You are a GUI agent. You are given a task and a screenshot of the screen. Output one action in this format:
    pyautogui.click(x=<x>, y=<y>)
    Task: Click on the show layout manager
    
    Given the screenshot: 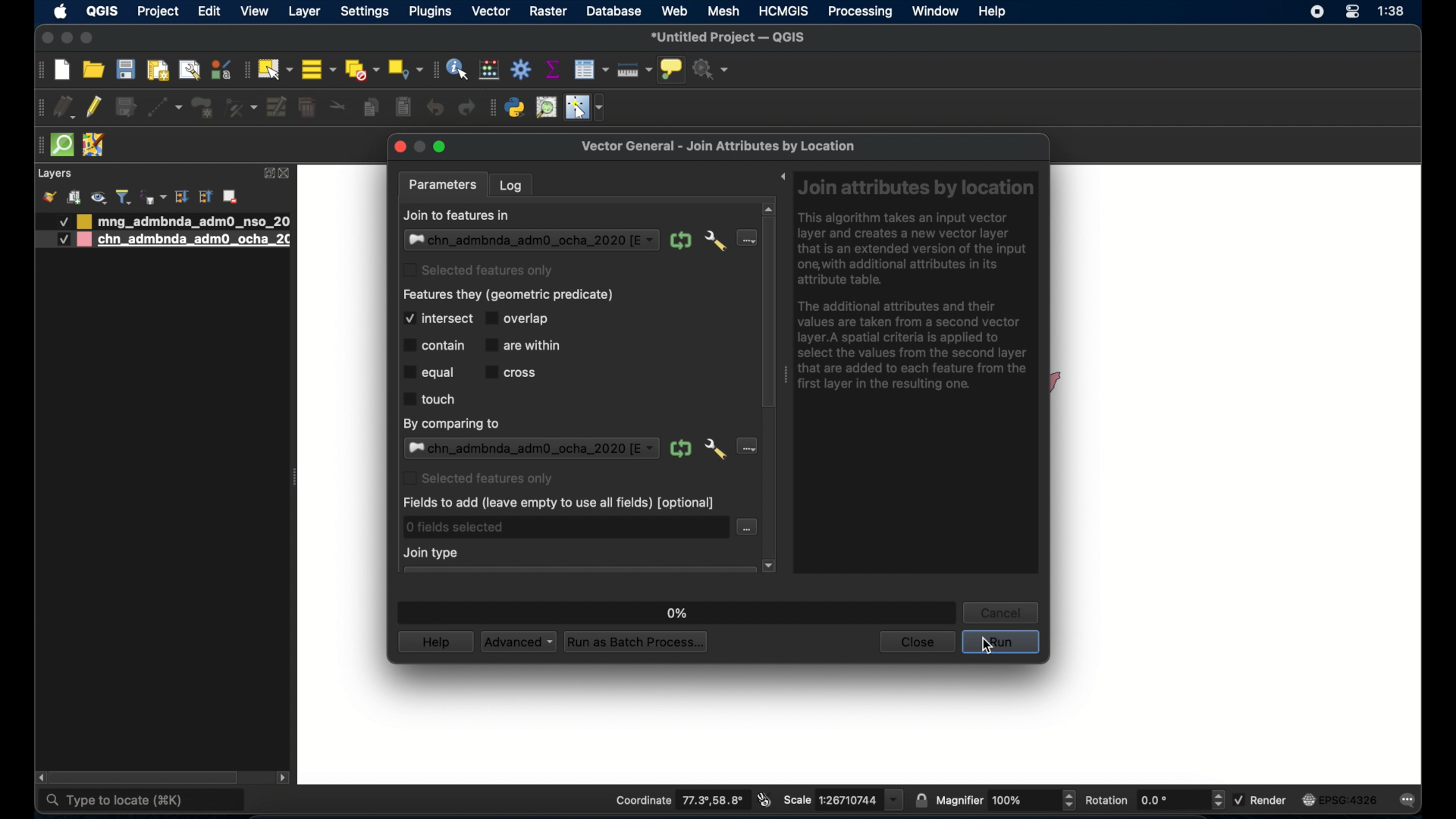 What is the action you would take?
    pyautogui.click(x=189, y=71)
    